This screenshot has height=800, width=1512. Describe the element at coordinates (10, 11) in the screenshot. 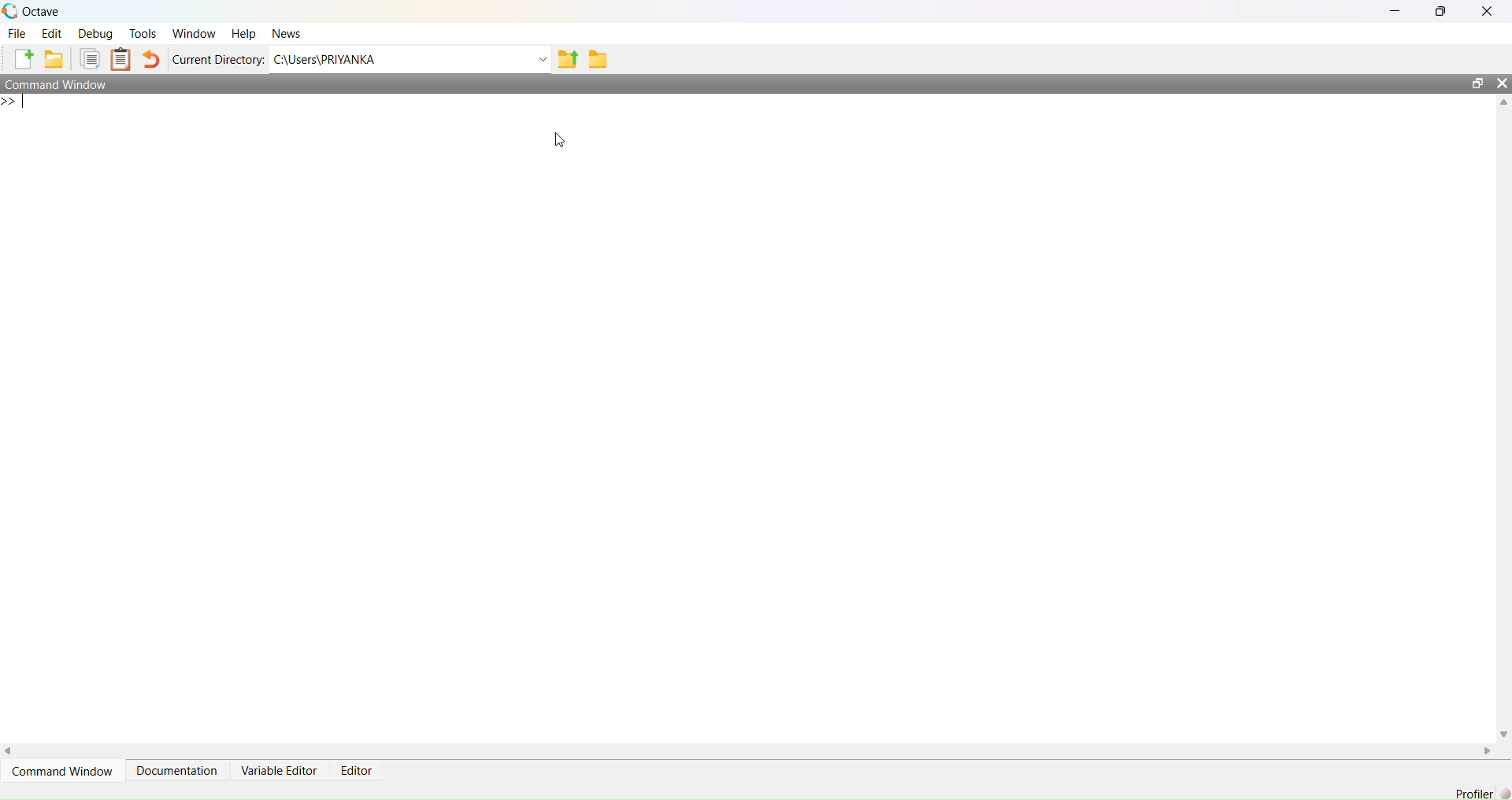

I see `Octave logo` at that location.